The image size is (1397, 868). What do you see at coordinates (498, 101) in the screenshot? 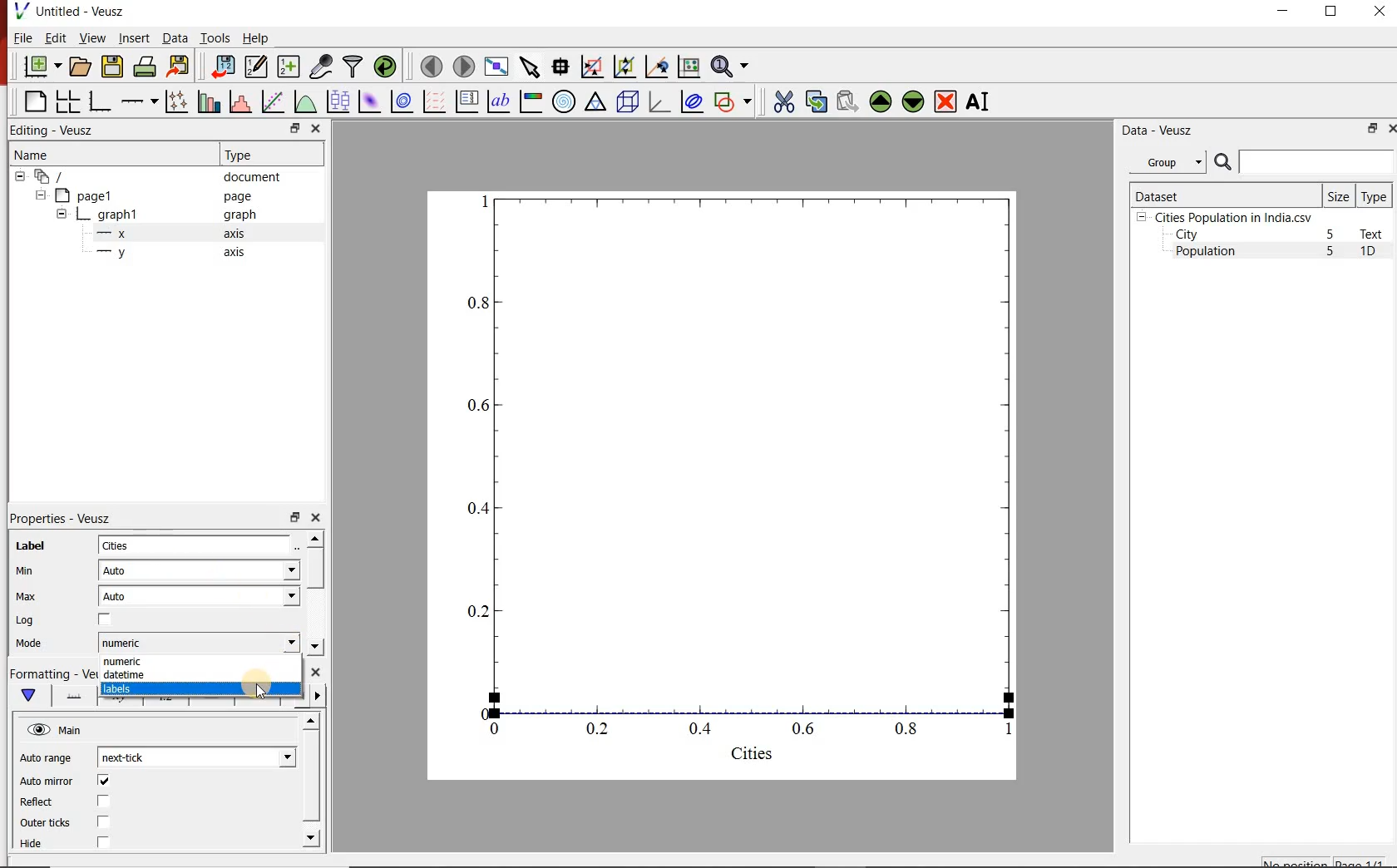
I see `text label` at bounding box center [498, 101].